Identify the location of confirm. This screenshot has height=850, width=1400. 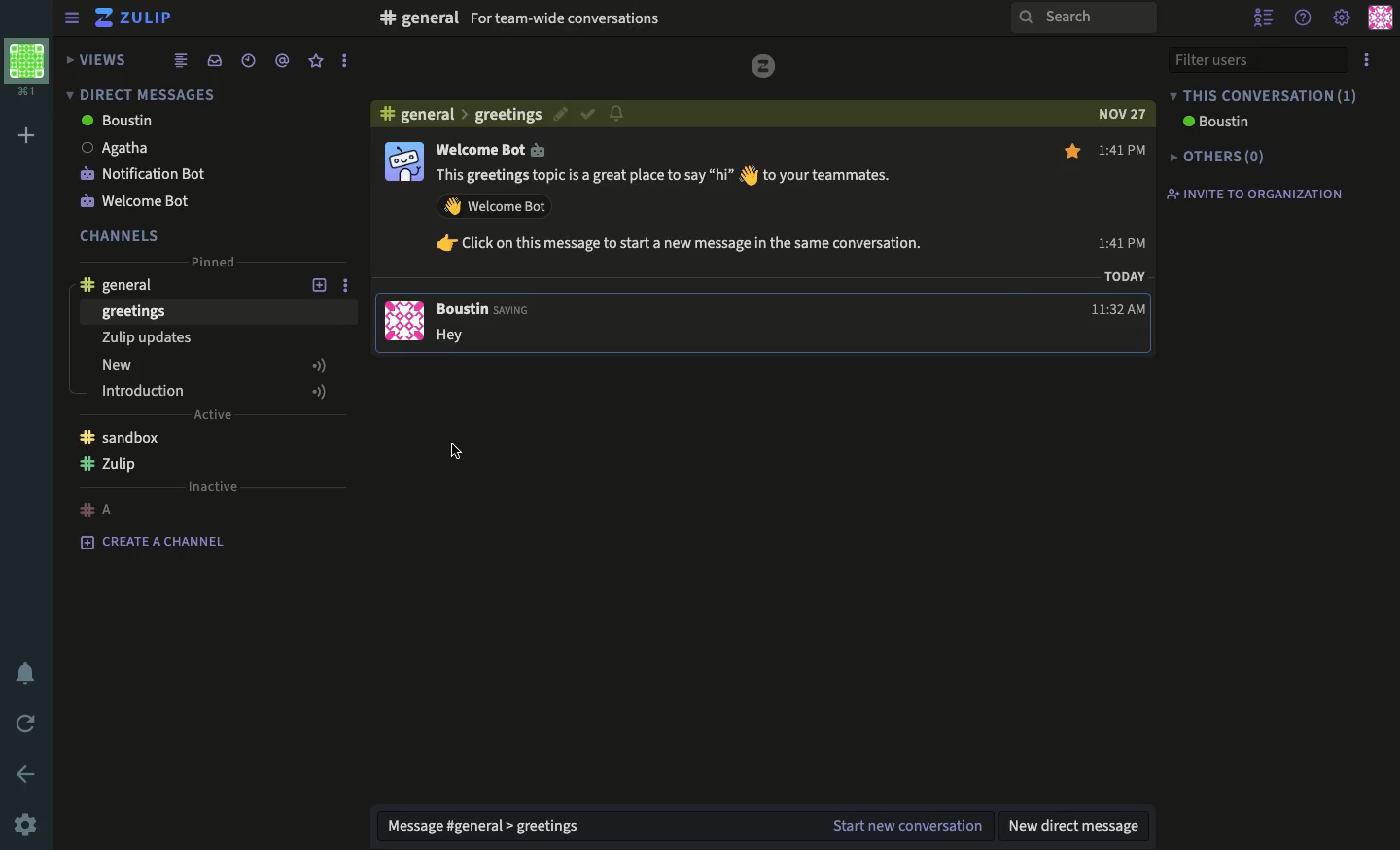
(587, 116).